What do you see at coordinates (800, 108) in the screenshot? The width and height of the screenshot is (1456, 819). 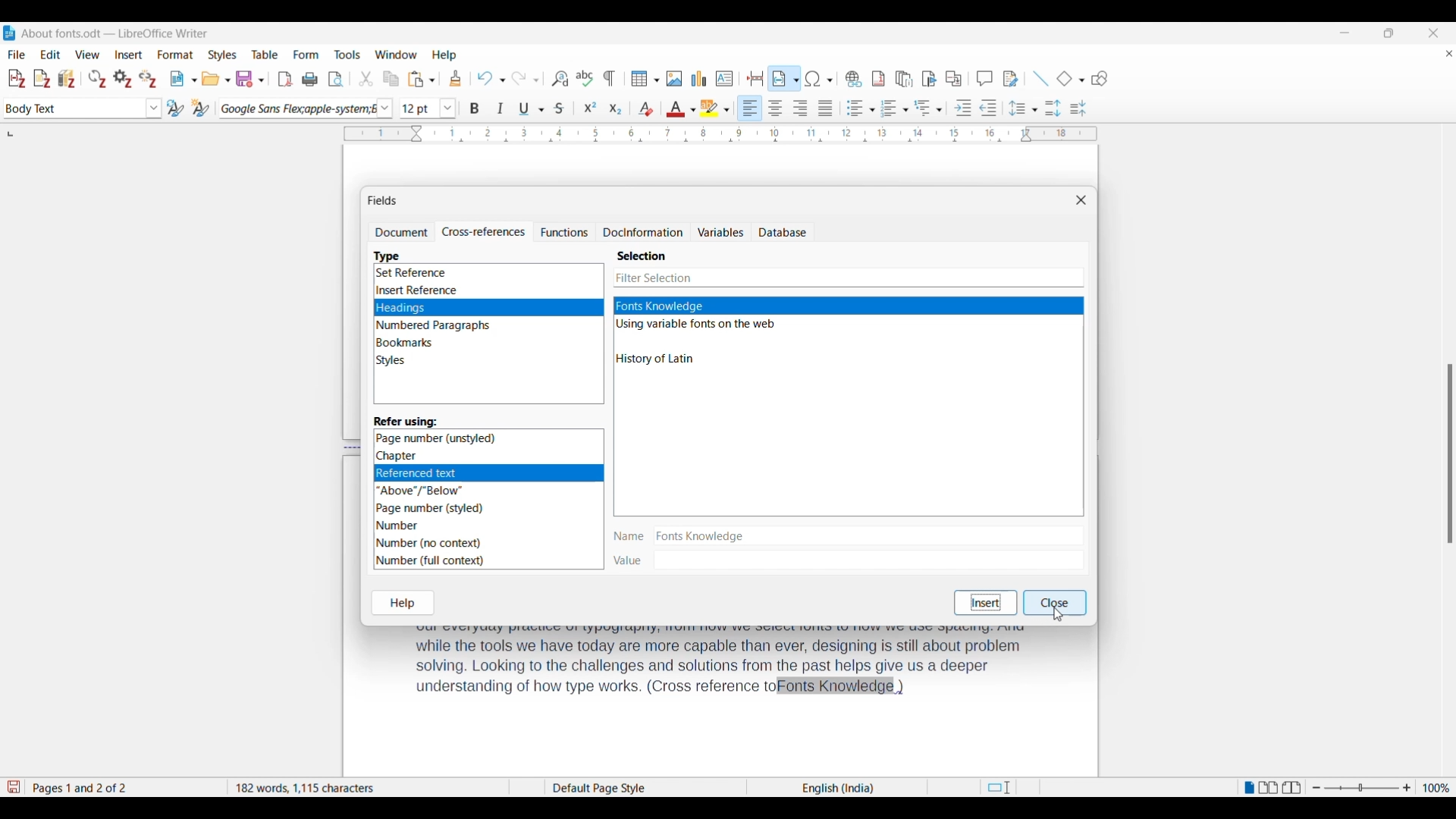 I see `Align right` at bounding box center [800, 108].